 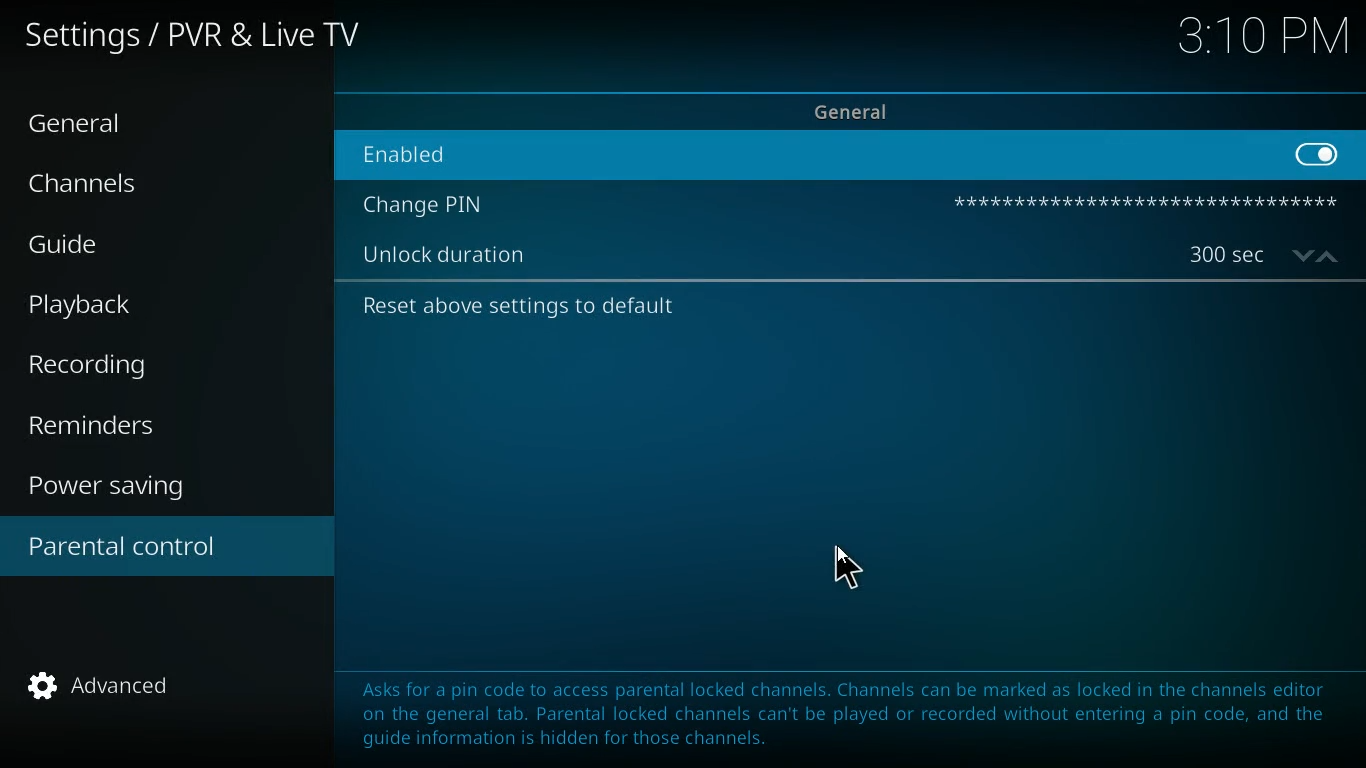 I want to click on pin, so click(x=1144, y=202).